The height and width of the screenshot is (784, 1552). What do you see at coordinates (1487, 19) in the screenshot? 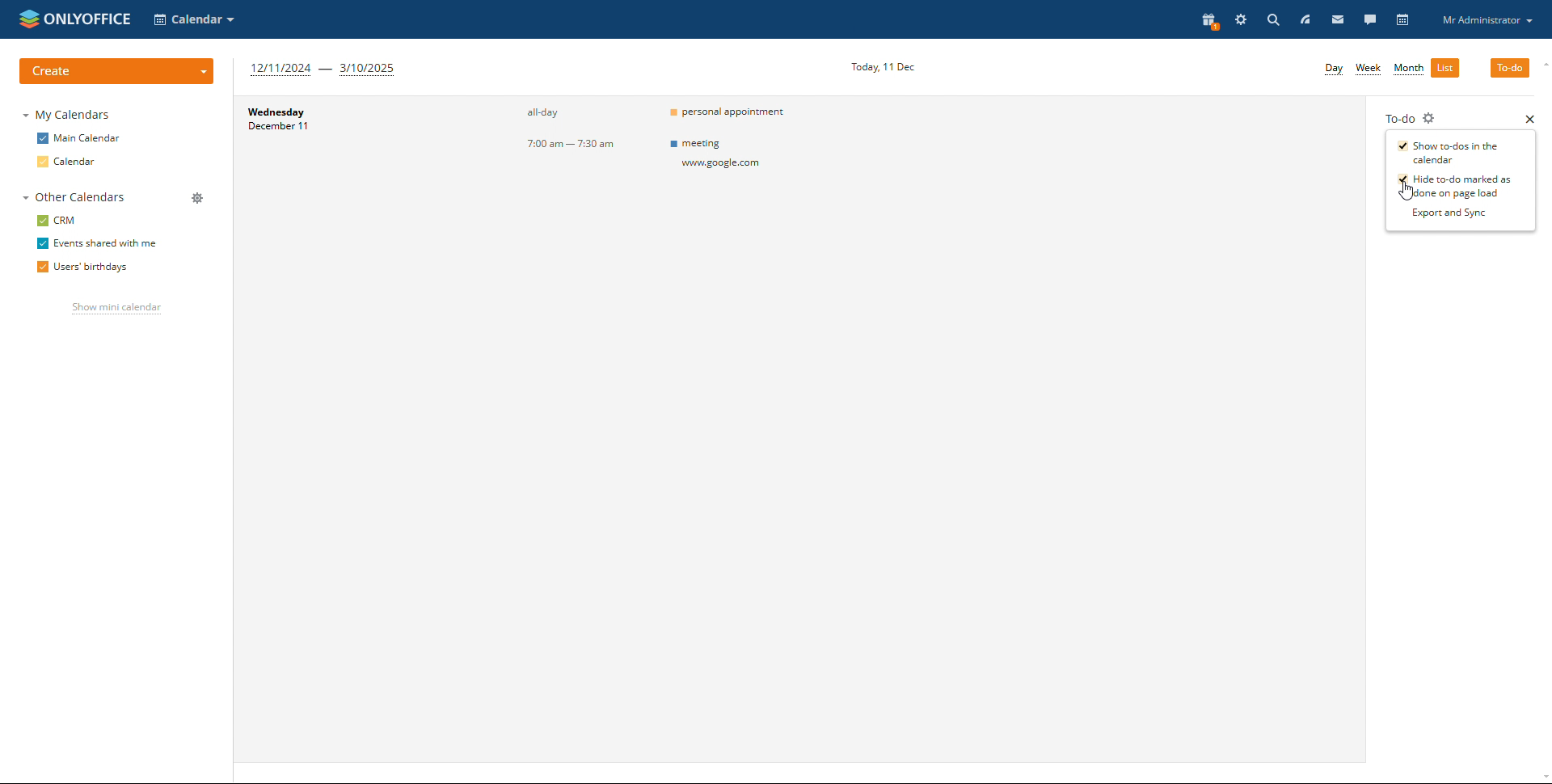
I see `profile` at bounding box center [1487, 19].